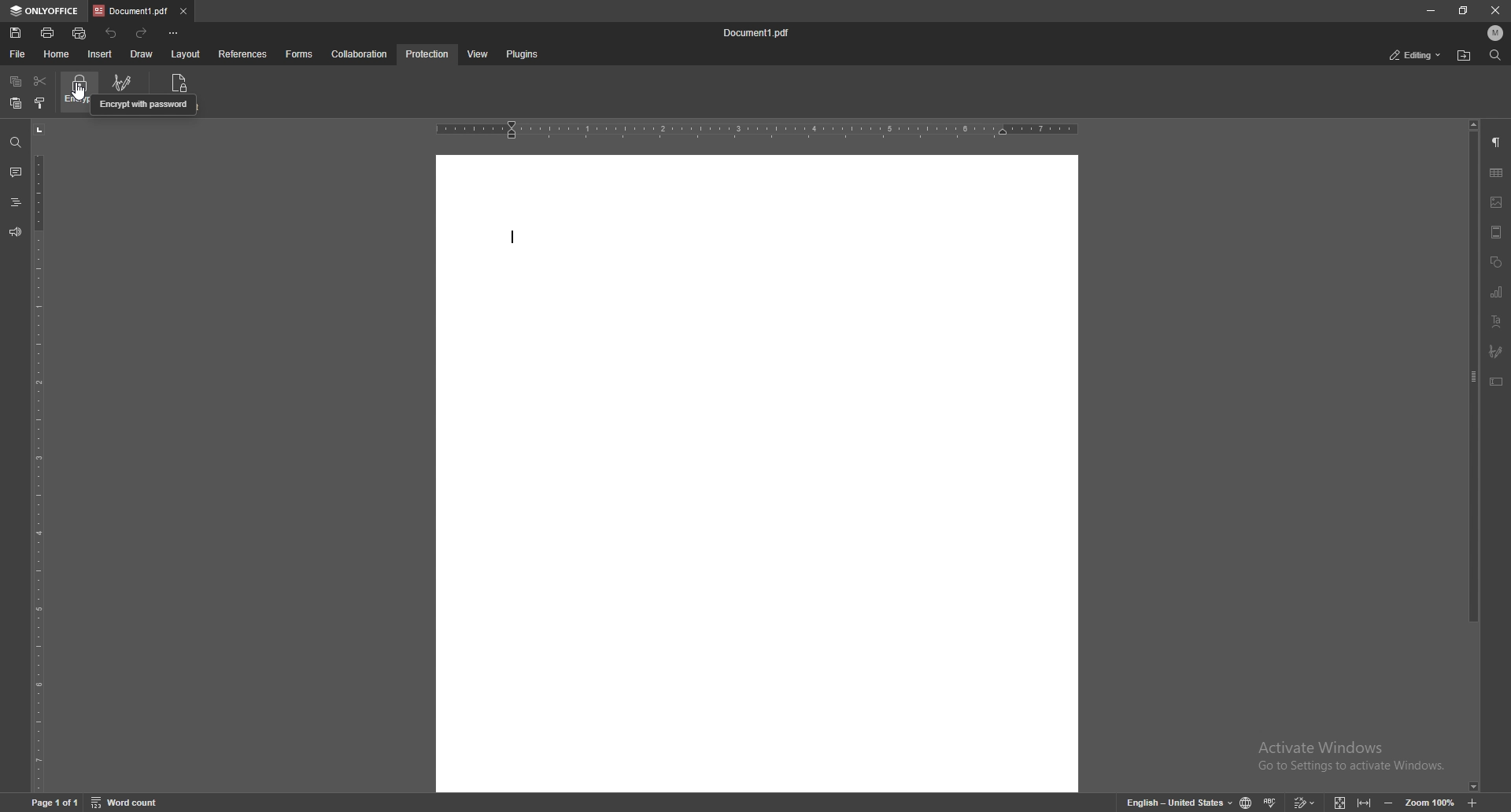 Image resolution: width=1511 pixels, height=812 pixels. I want to click on customize toolbar, so click(172, 34).